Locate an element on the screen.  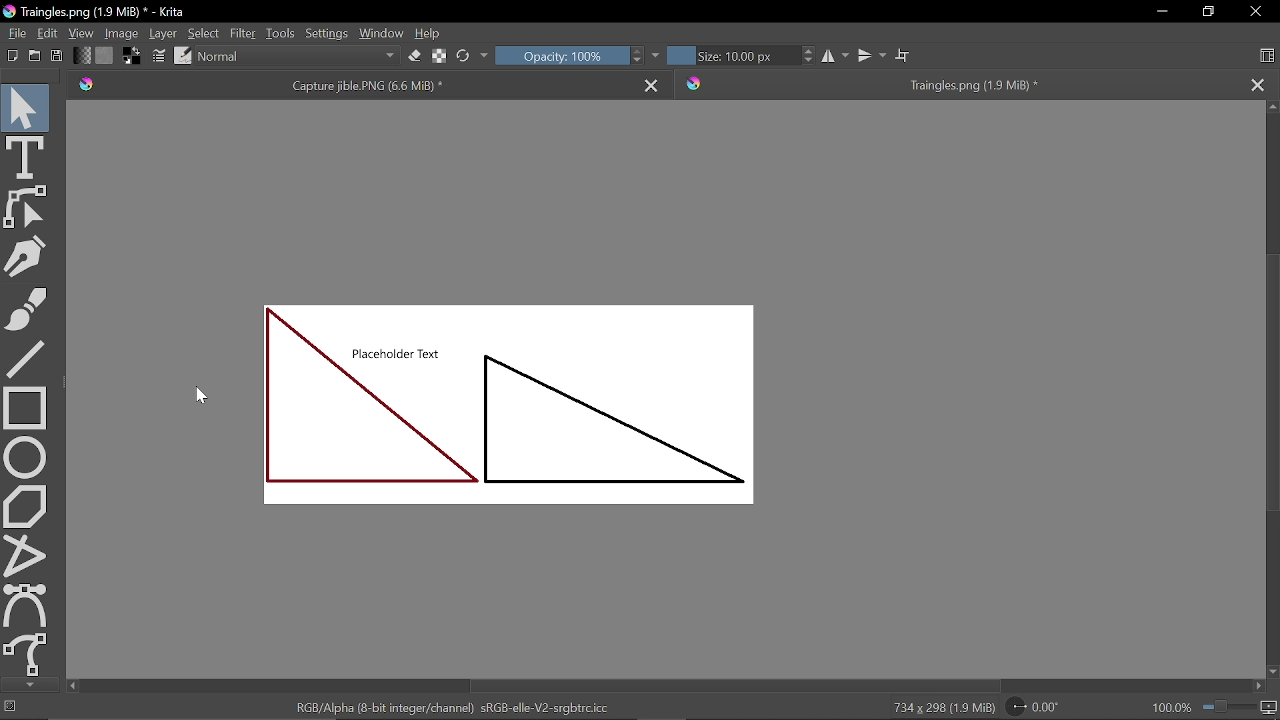
cursor is located at coordinates (204, 395).